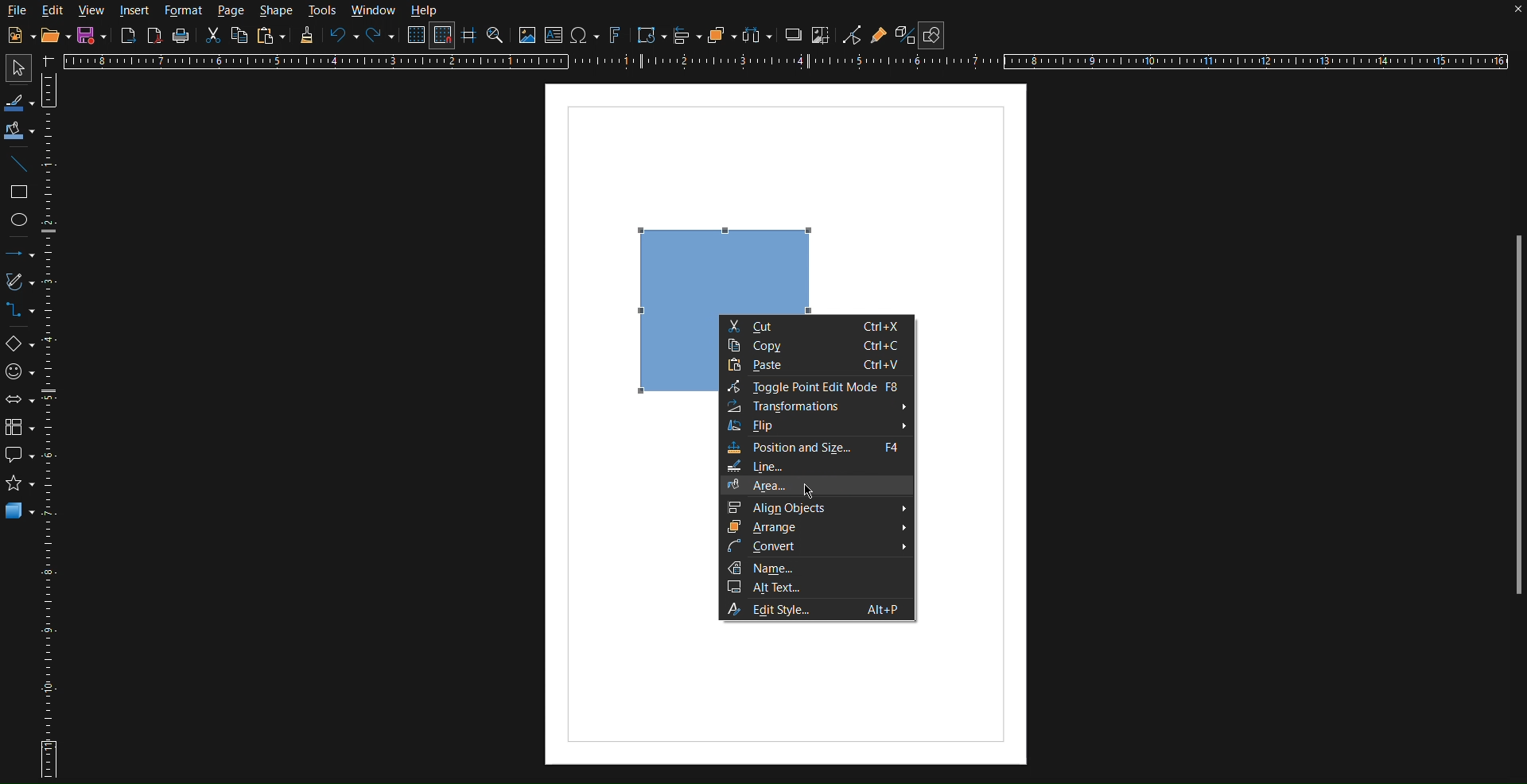  Describe the element at coordinates (445, 37) in the screenshot. I see `Snap to Grid` at that location.